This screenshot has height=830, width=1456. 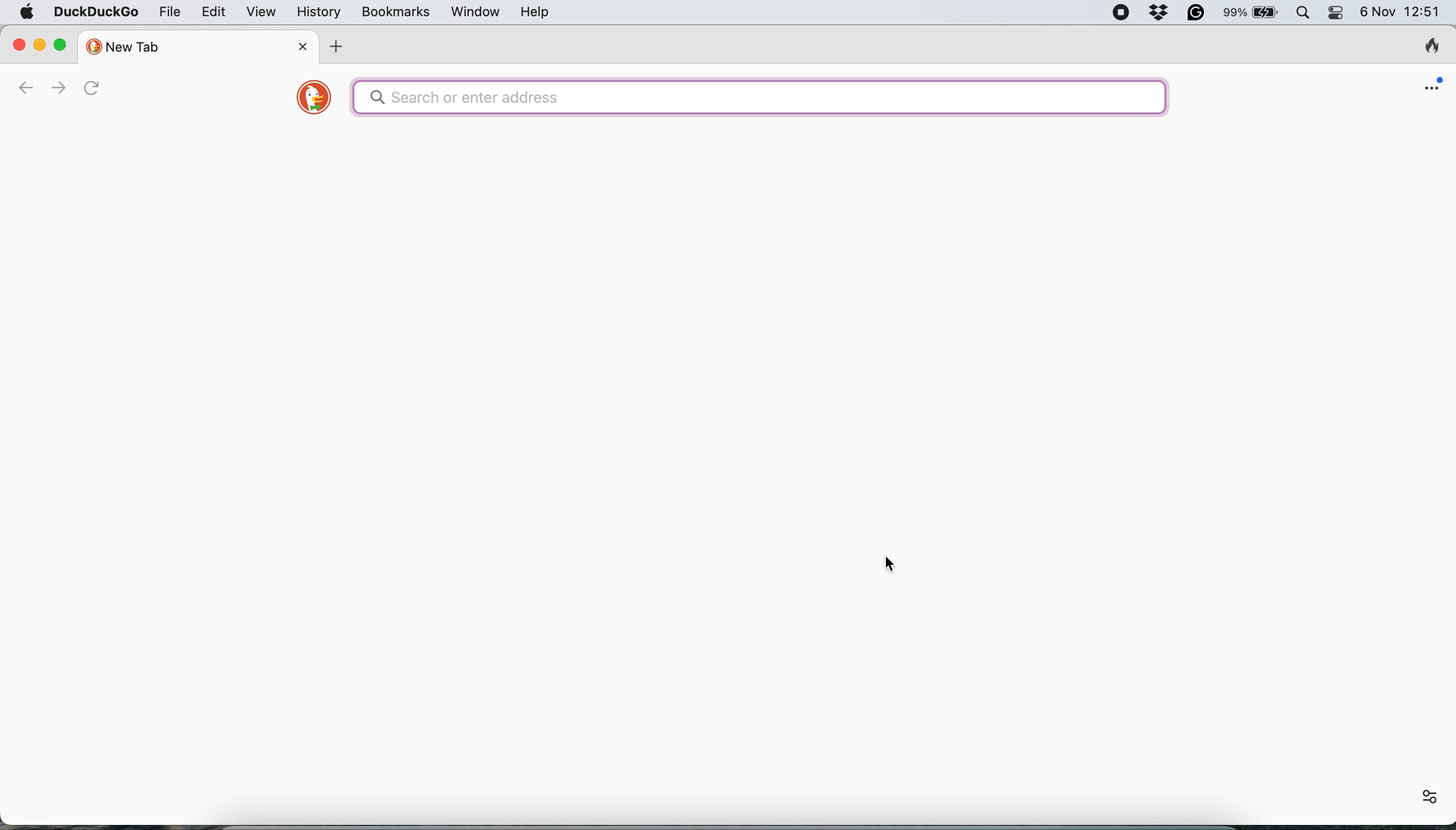 I want to click on help, so click(x=535, y=13).